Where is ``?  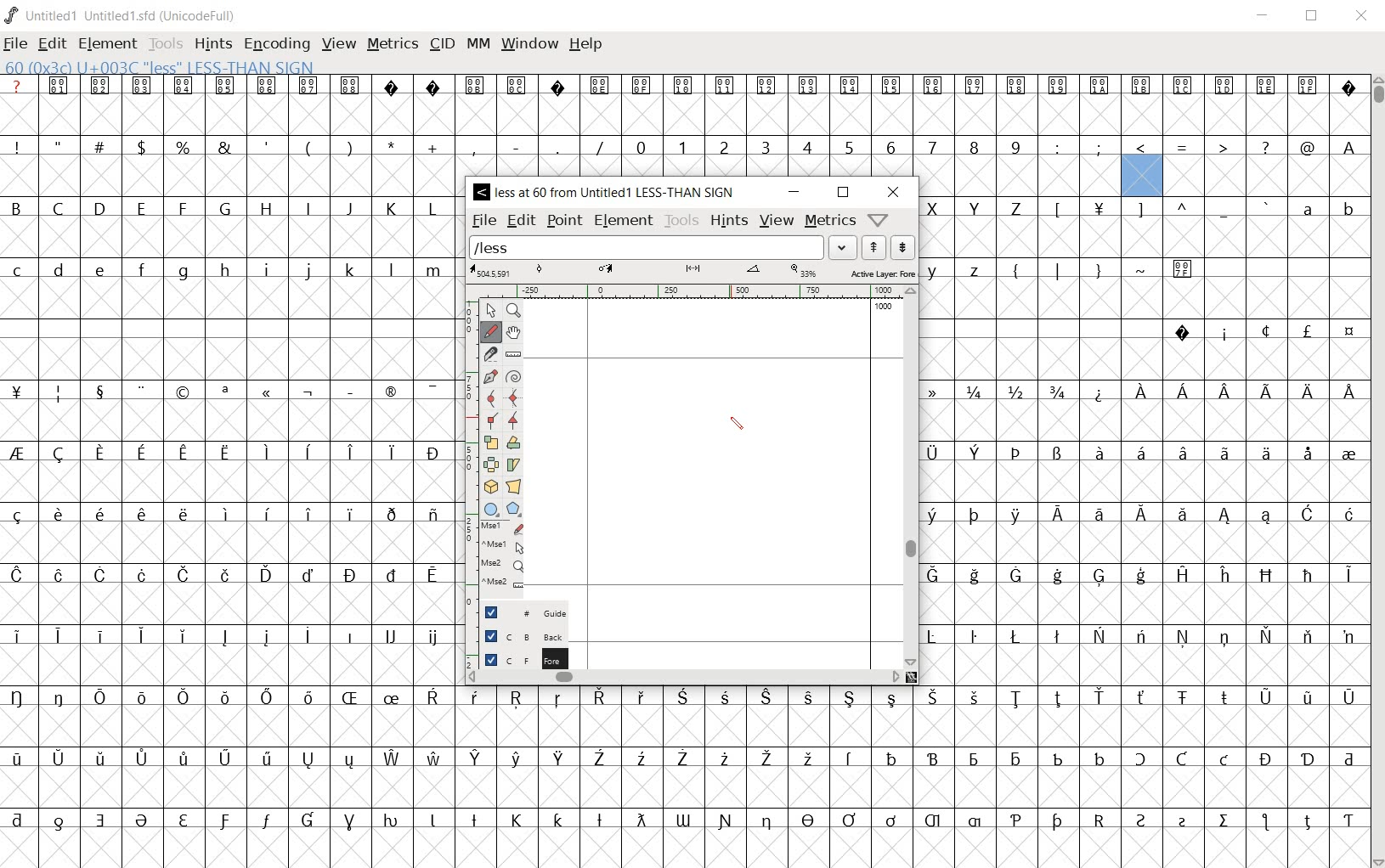
 is located at coordinates (1143, 301).